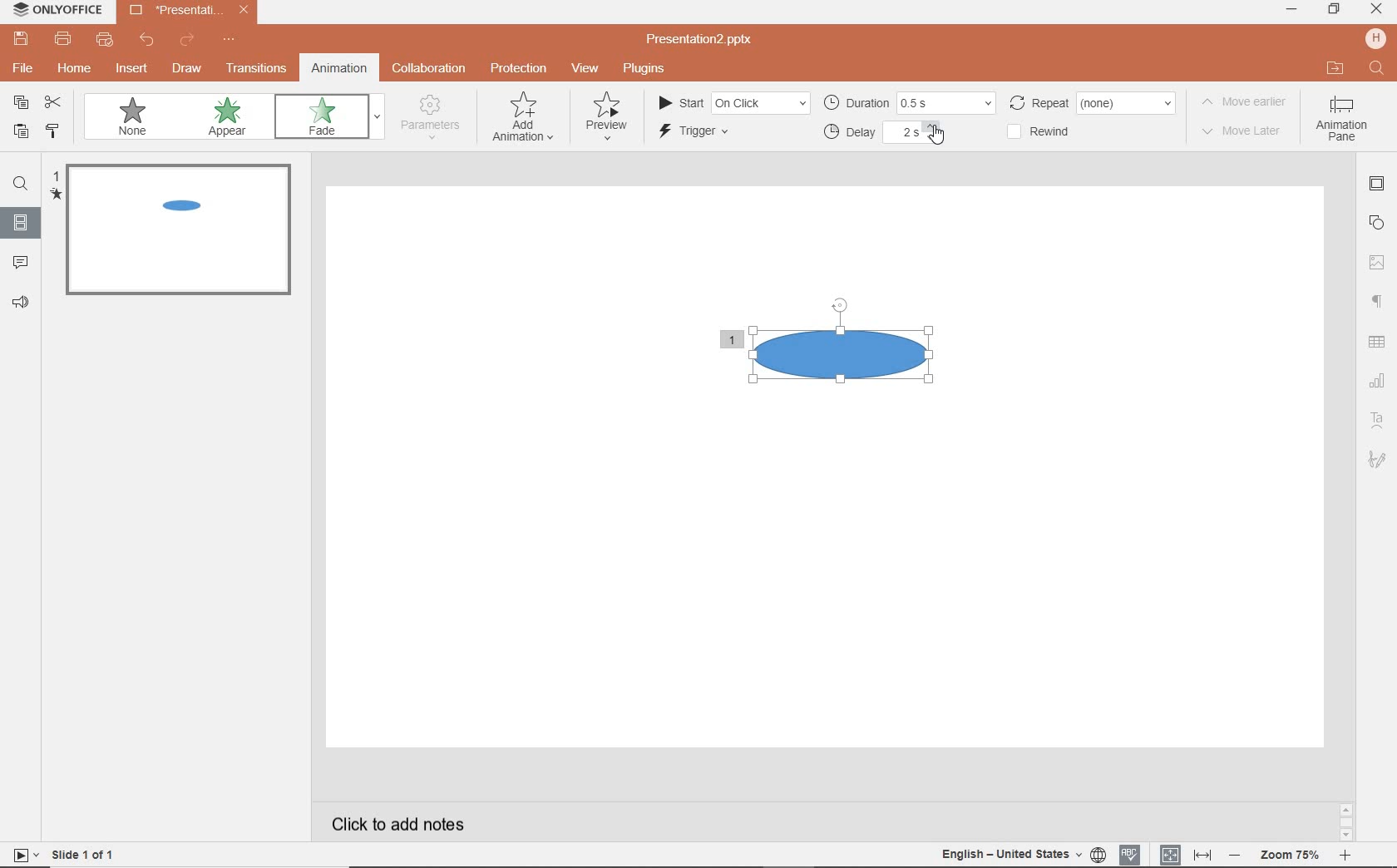 The width and height of the screenshot is (1397, 868). Describe the element at coordinates (699, 131) in the screenshot. I see `trigger` at that location.